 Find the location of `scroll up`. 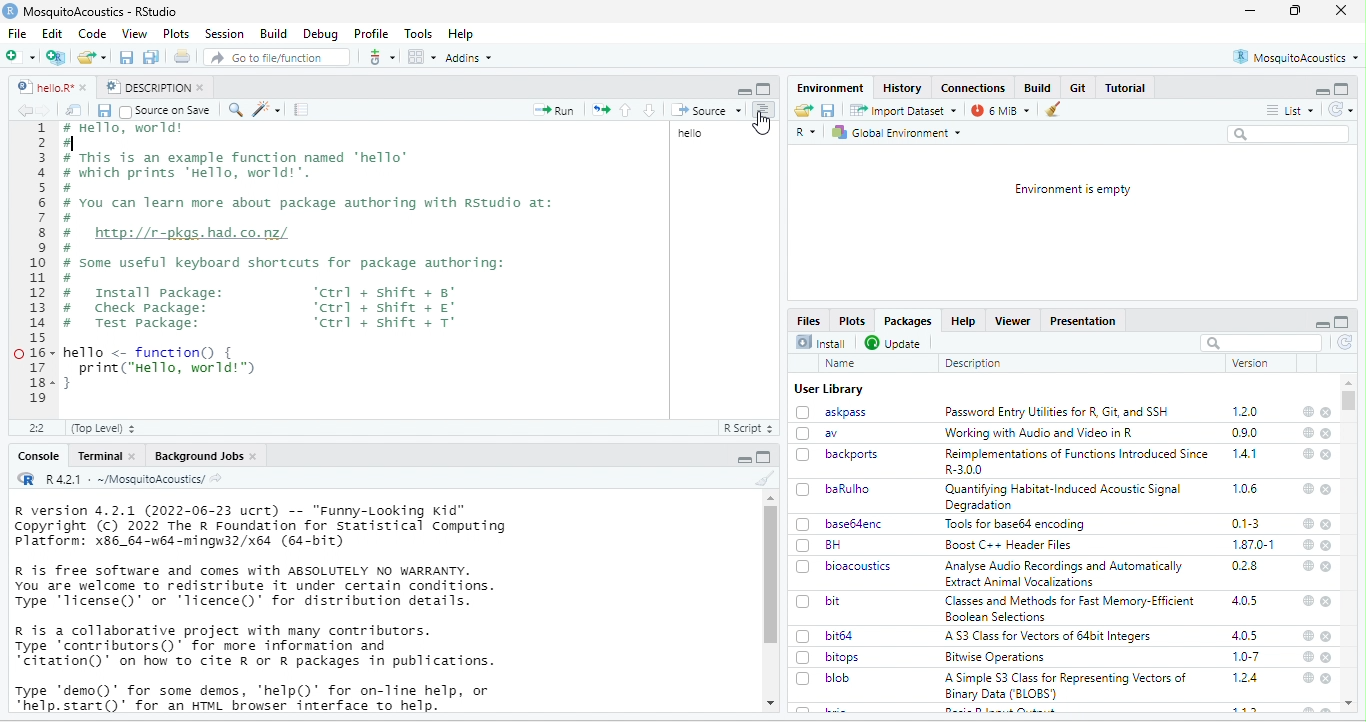

scroll up is located at coordinates (1350, 382).